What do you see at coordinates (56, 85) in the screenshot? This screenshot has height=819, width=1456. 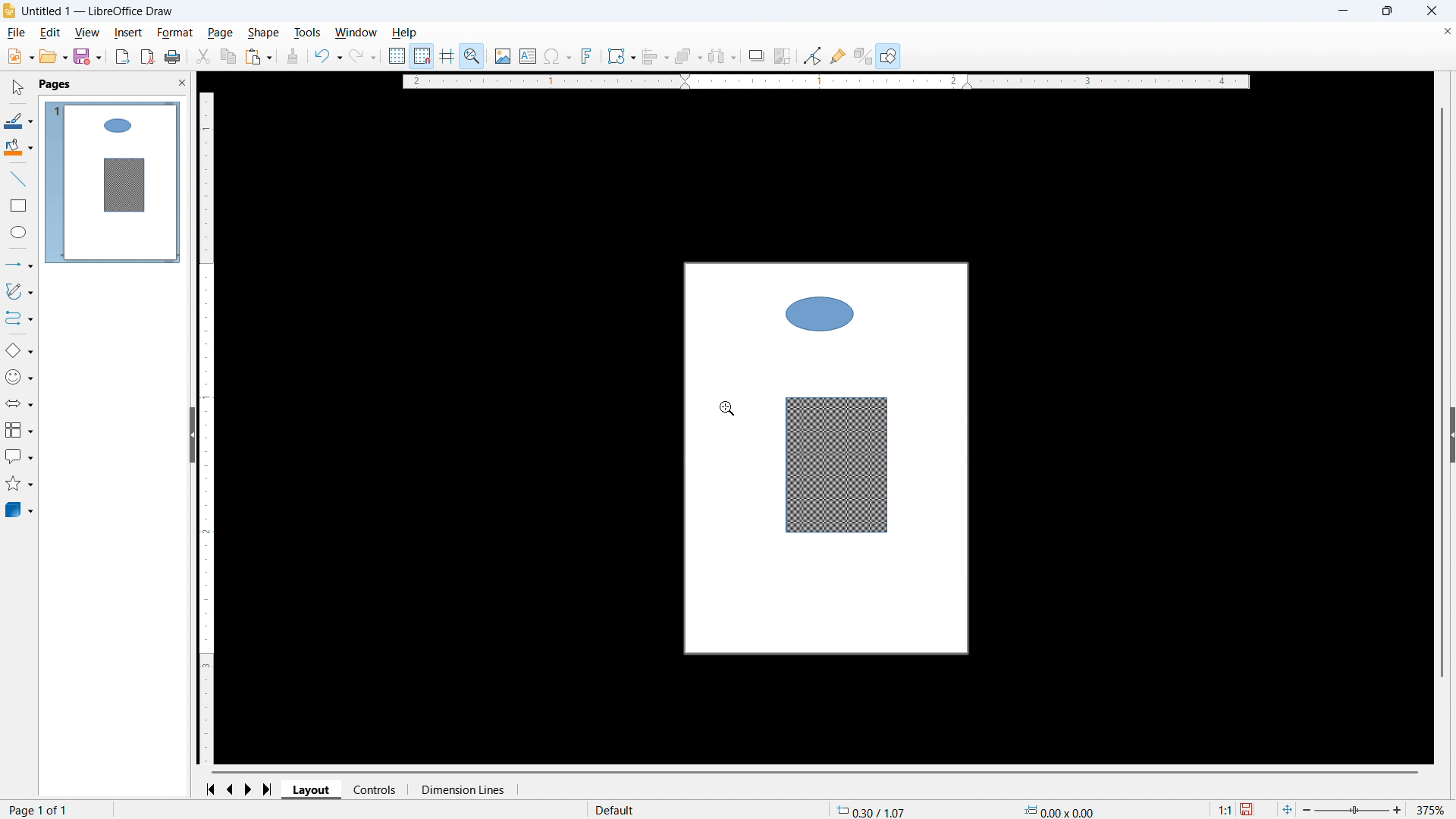 I see `pages ` at bounding box center [56, 85].